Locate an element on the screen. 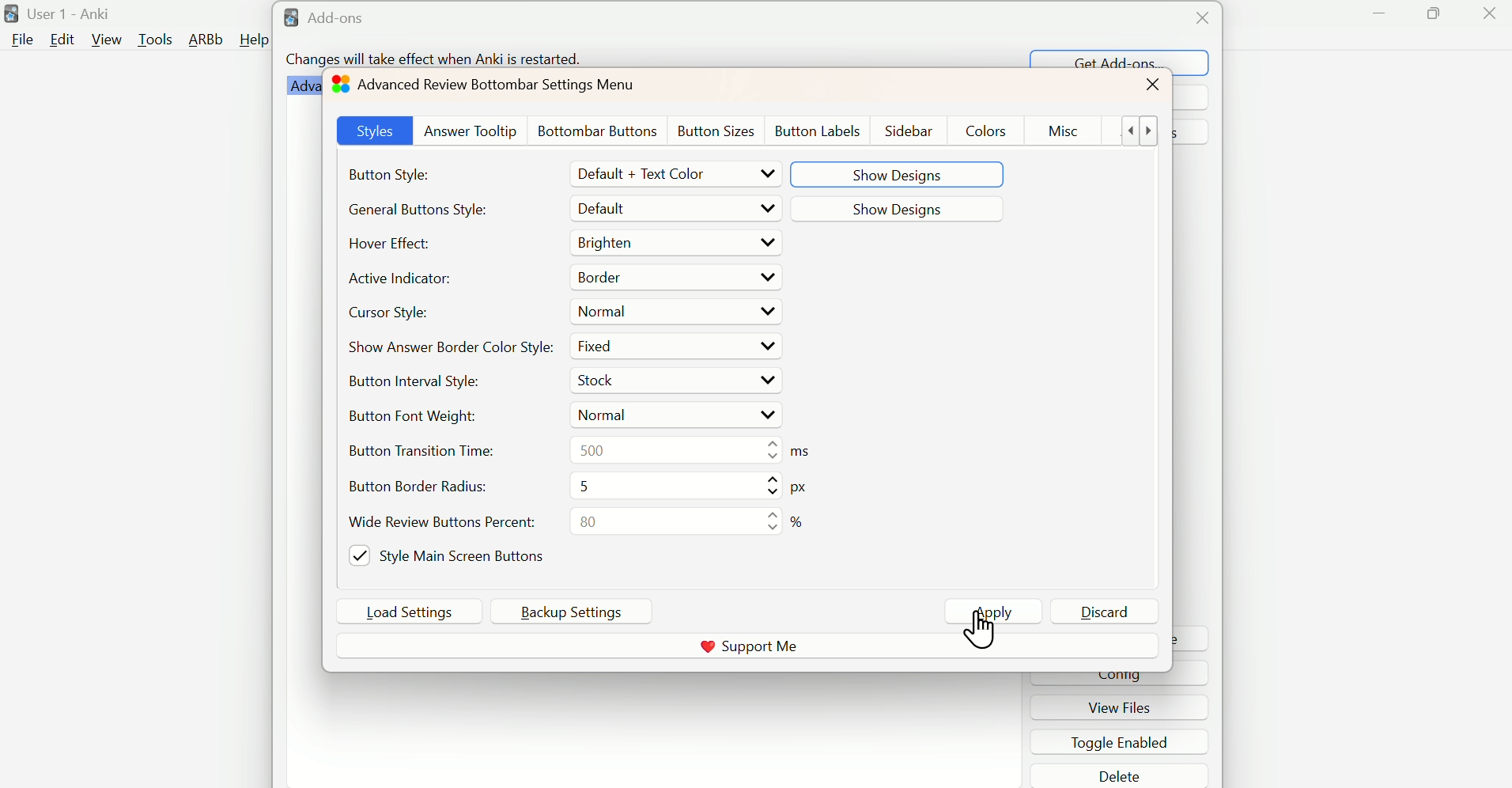 The height and width of the screenshot is (788, 1512). Default + Text Color is located at coordinates (639, 172).